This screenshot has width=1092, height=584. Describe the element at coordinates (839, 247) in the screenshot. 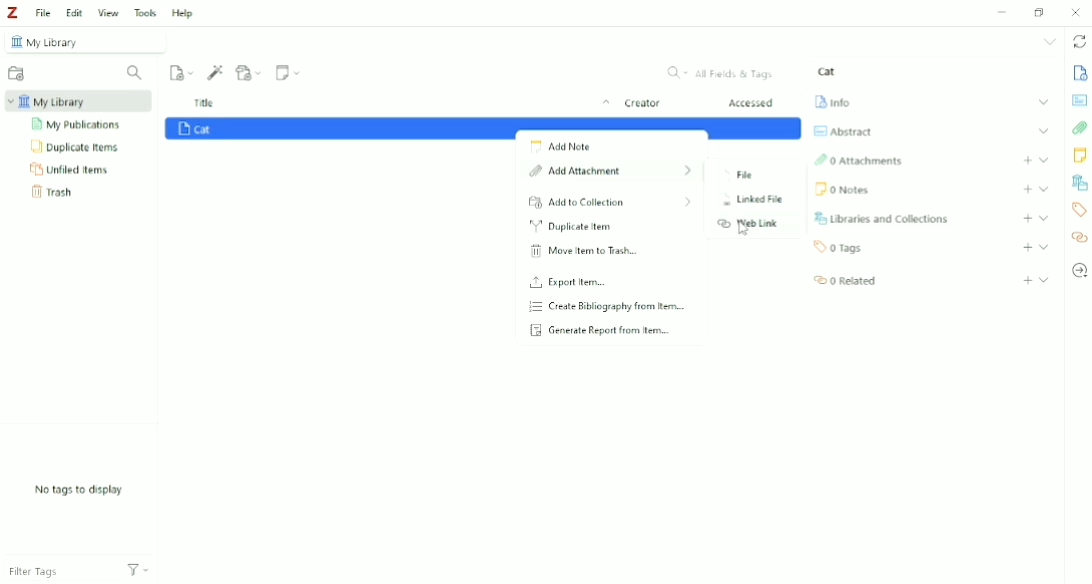

I see `Tags` at that location.